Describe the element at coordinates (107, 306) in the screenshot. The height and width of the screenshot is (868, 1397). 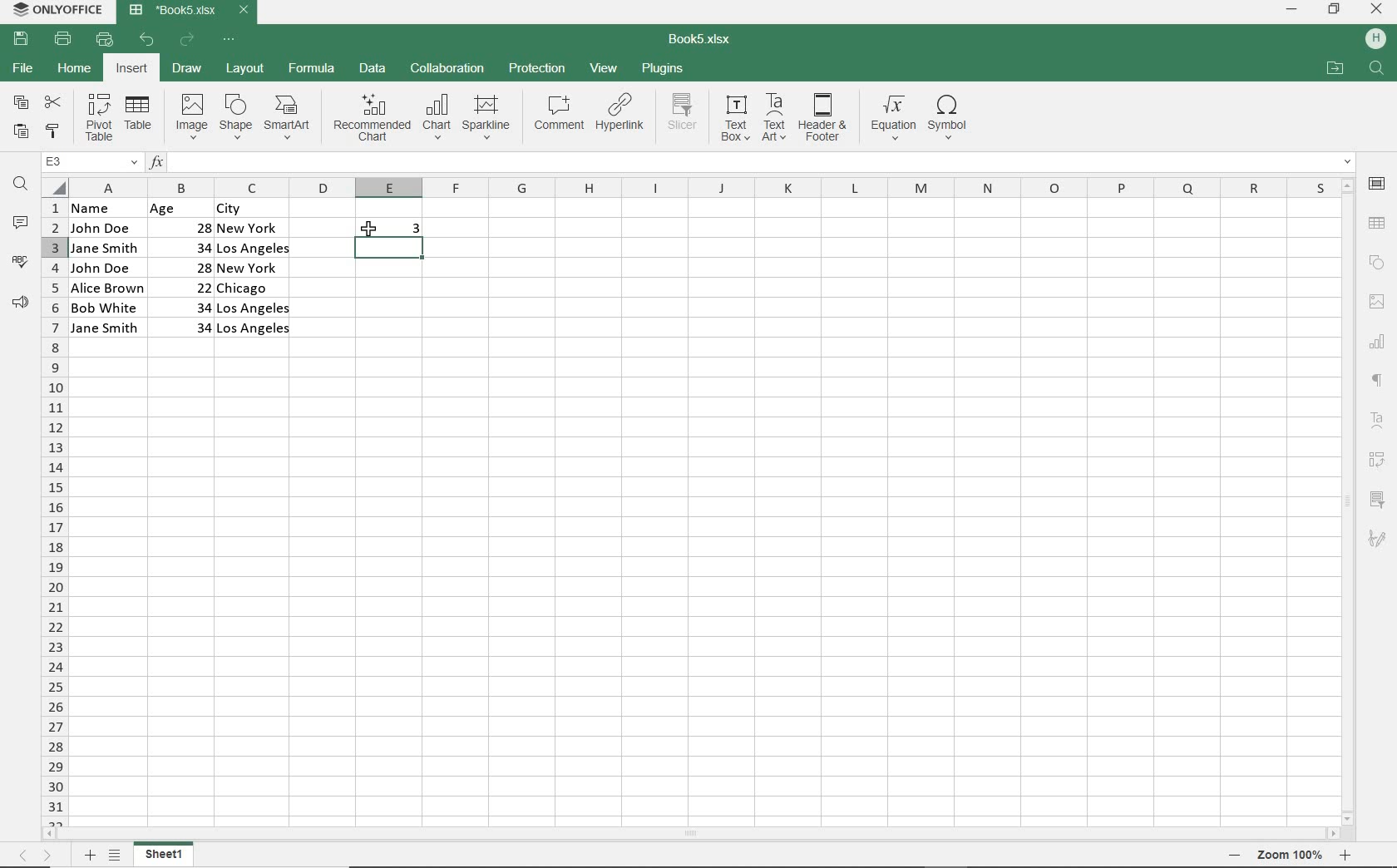
I see `Bob White` at that location.